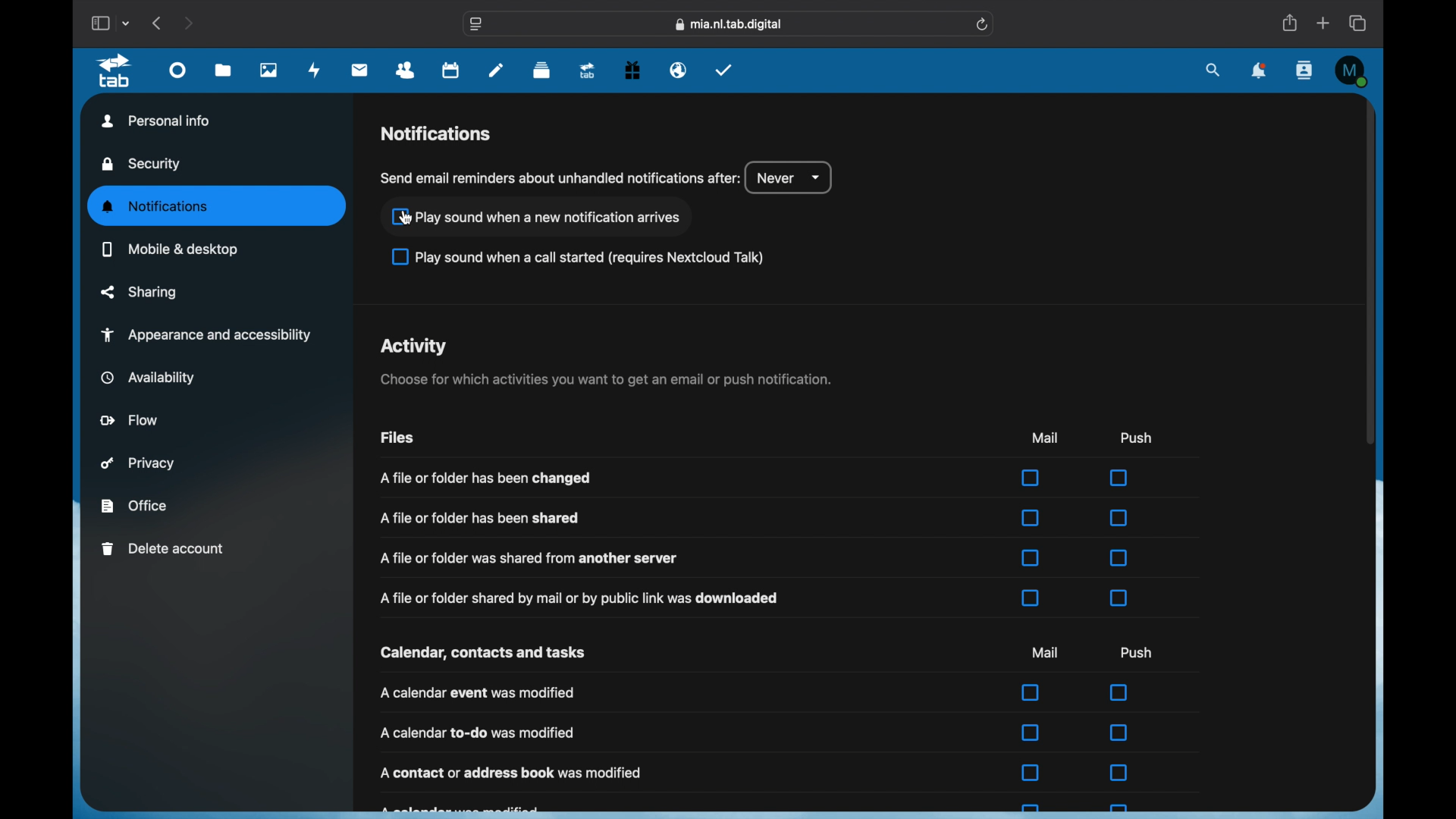  Describe the element at coordinates (1119, 734) in the screenshot. I see `checkbox` at that location.